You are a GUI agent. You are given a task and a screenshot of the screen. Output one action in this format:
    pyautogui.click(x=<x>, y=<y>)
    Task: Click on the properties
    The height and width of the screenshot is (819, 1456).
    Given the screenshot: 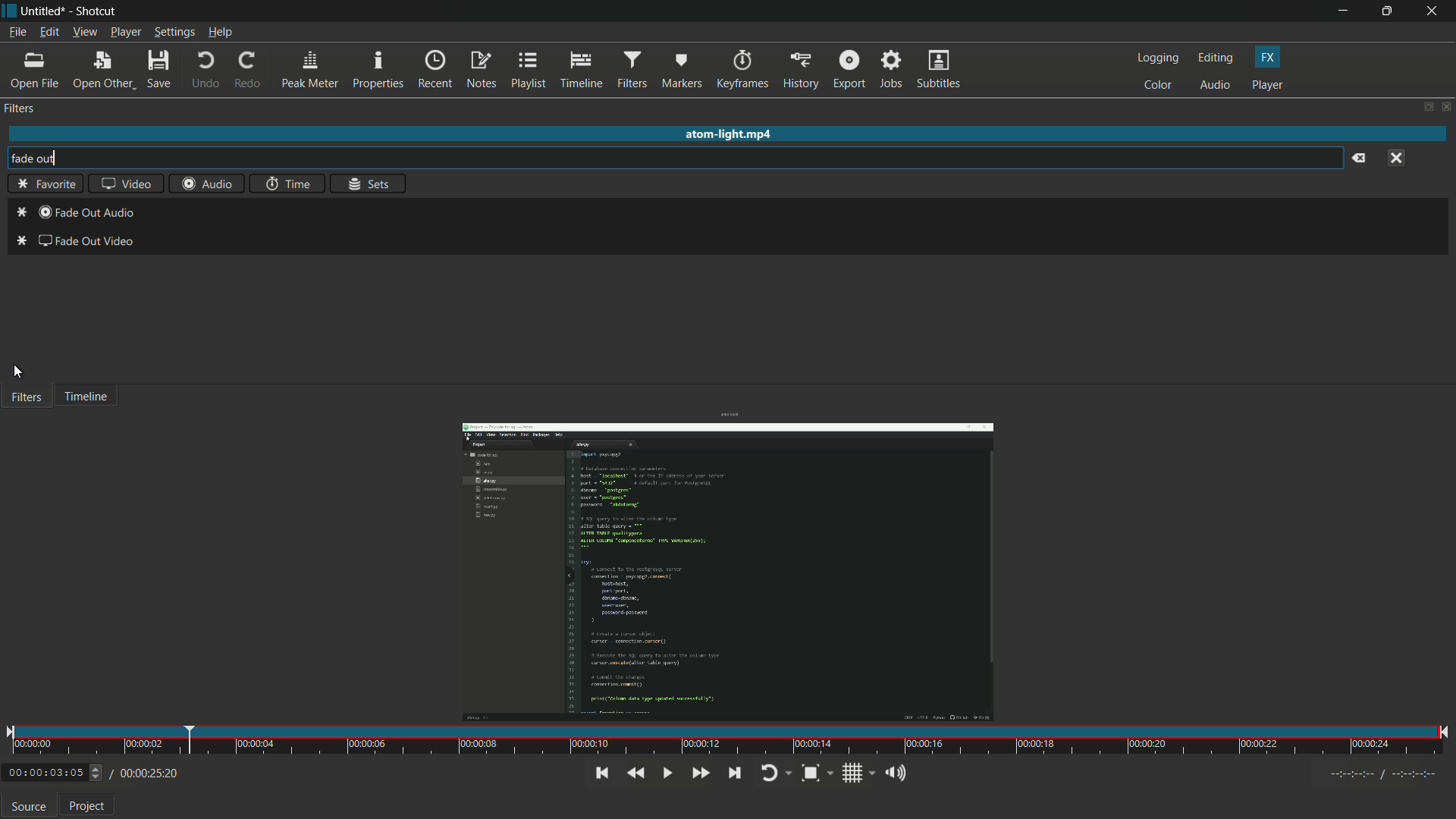 What is the action you would take?
    pyautogui.click(x=378, y=70)
    